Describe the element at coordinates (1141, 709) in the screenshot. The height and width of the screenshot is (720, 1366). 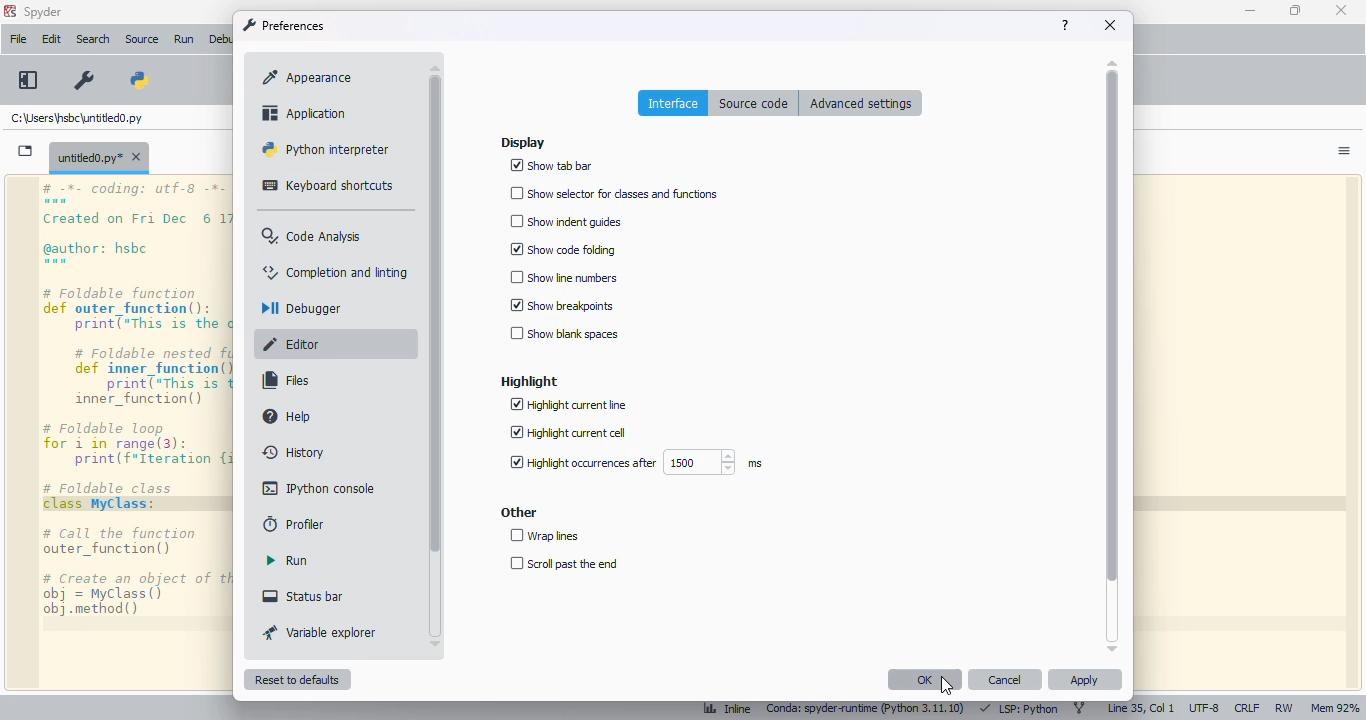
I see `Line 35, col 1` at that location.